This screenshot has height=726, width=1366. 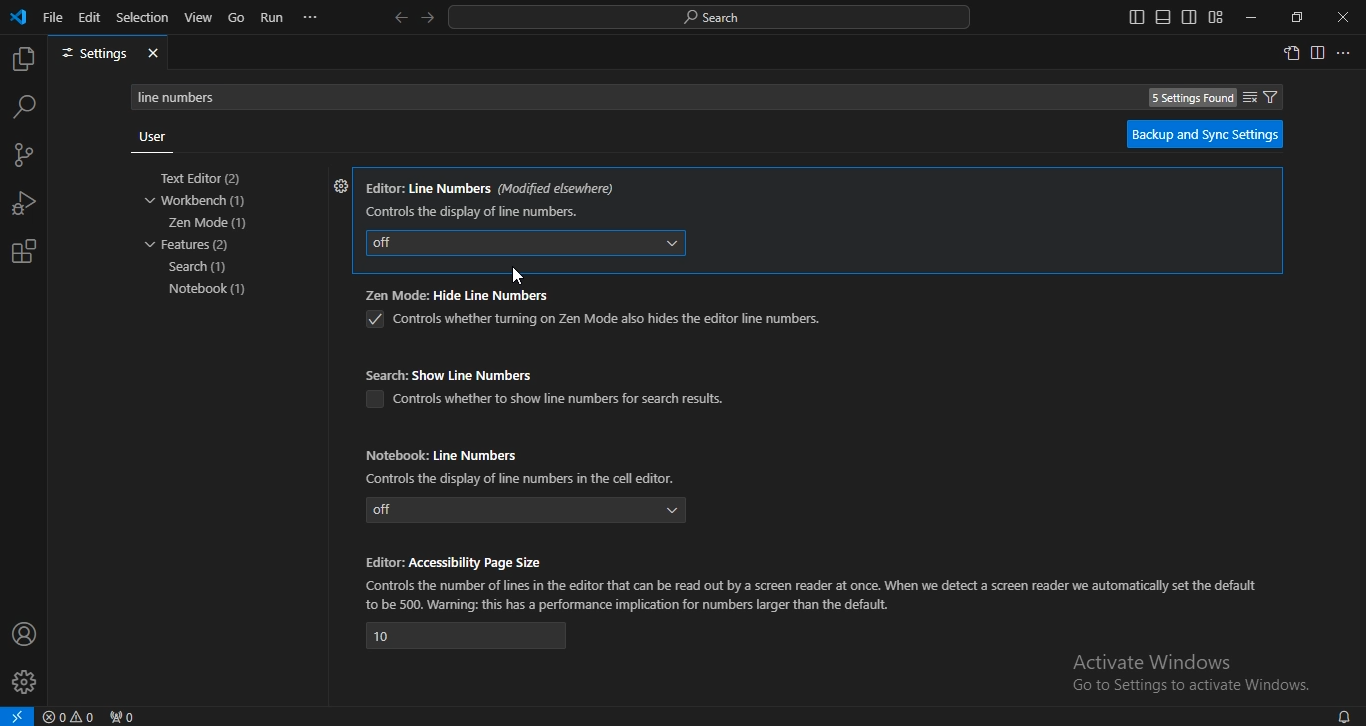 I want to click on features, so click(x=187, y=245).